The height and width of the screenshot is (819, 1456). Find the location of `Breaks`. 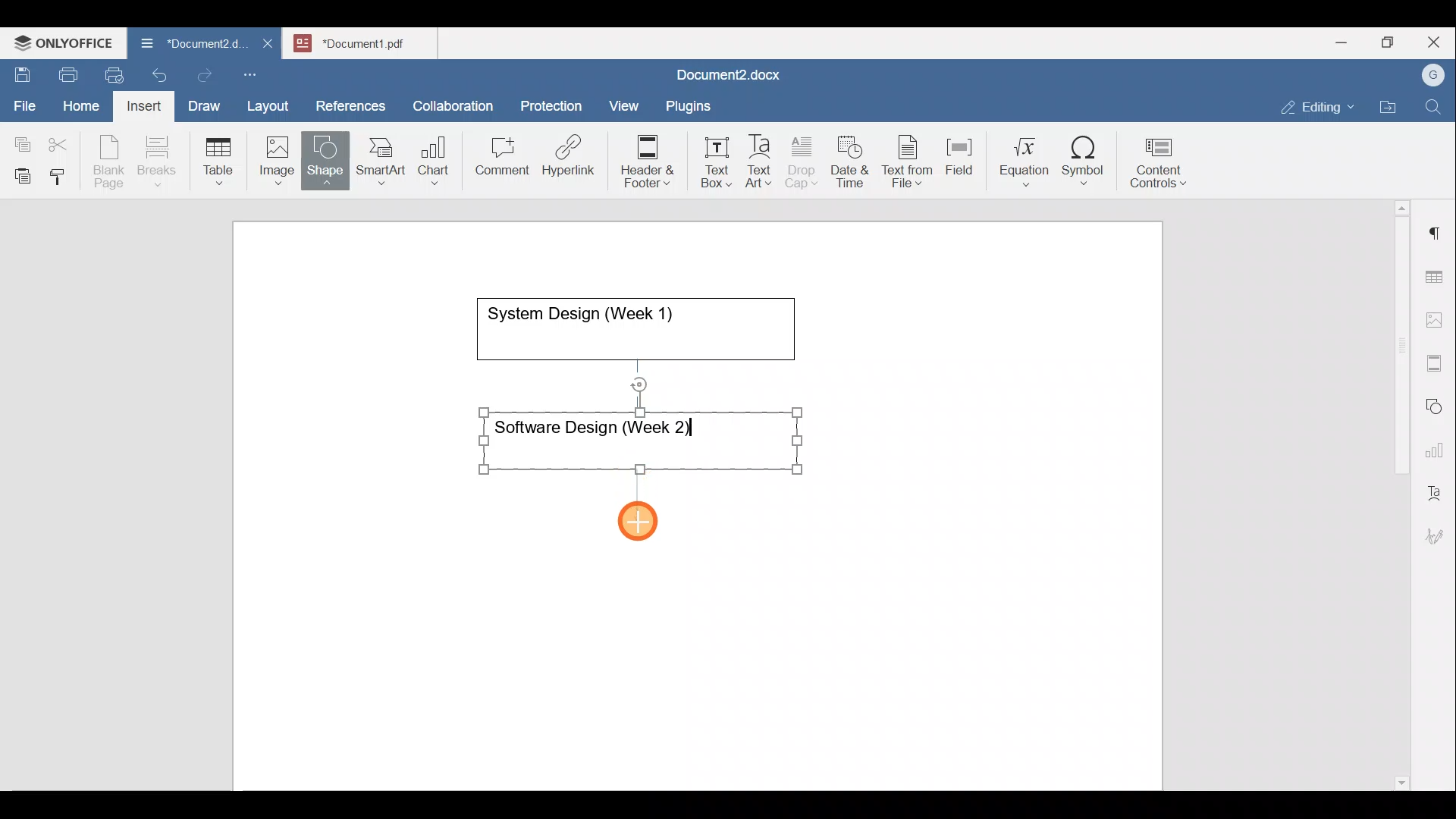

Breaks is located at coordinates (156, 162).